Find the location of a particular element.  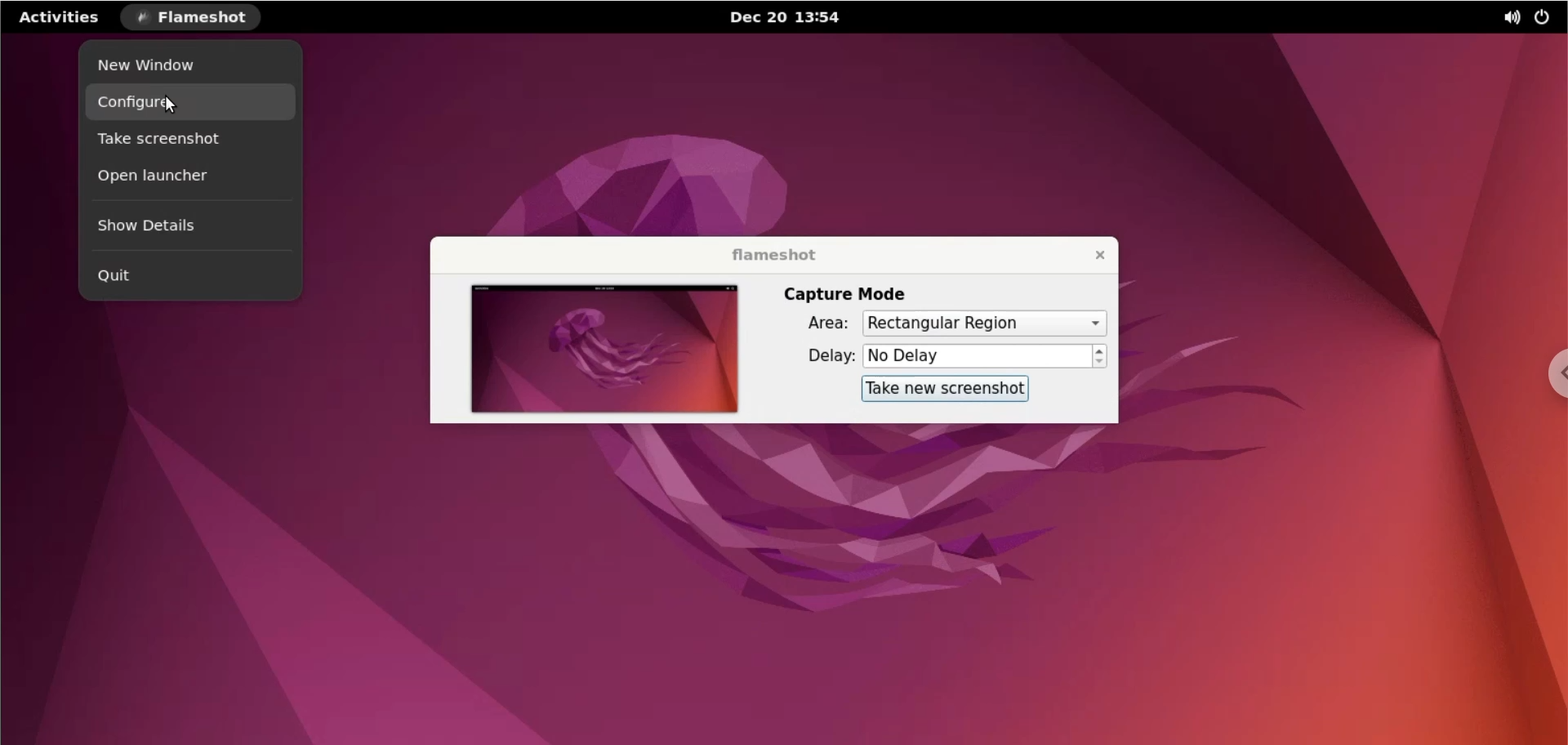

capture mode area options is located at coordinates (983, 324).